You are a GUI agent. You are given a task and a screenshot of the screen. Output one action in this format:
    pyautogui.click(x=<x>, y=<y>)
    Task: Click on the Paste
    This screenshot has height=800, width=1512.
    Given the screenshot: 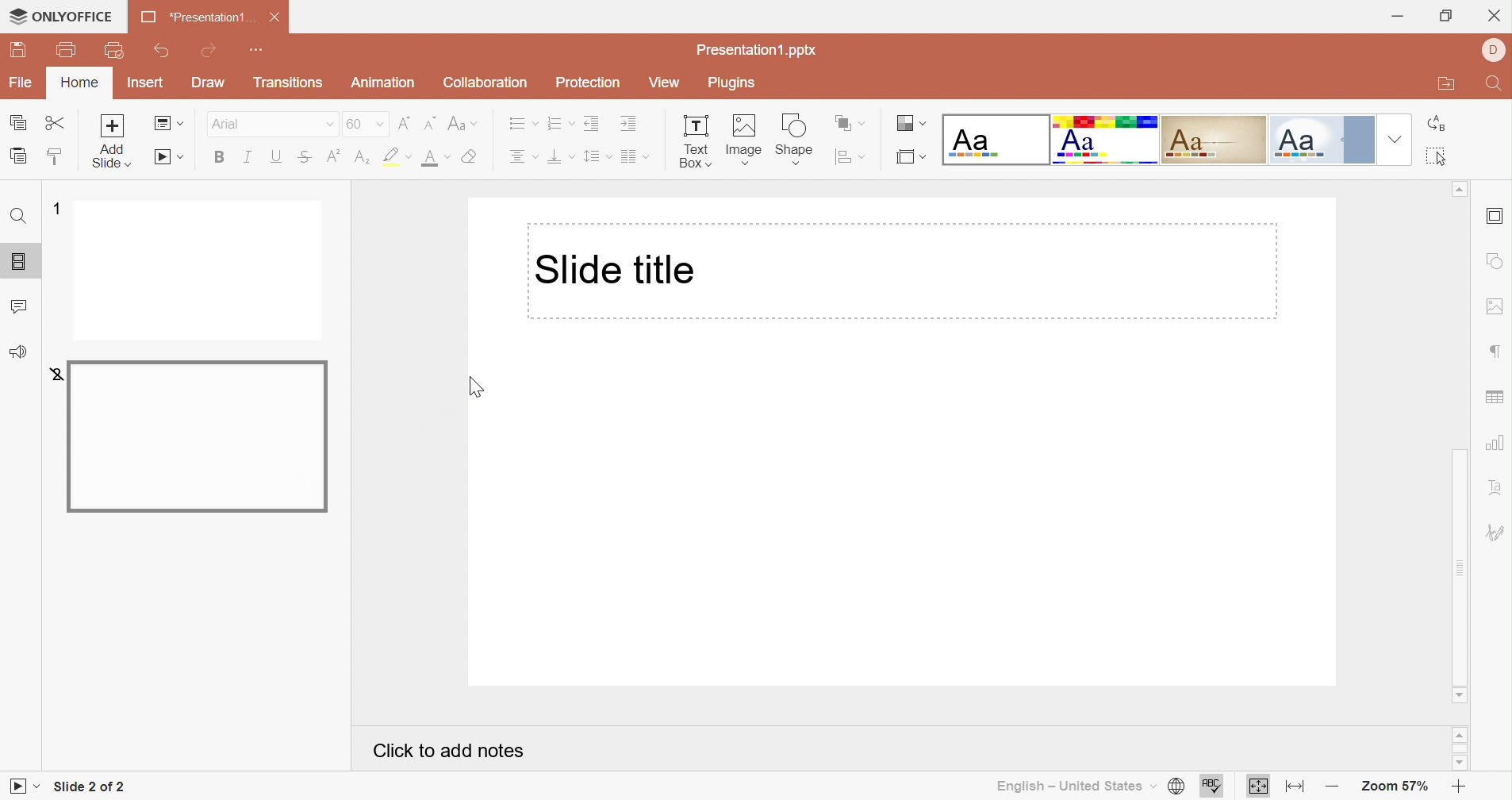 What is the action you would take?
    pyautogui.click(x=18, y=157)
    